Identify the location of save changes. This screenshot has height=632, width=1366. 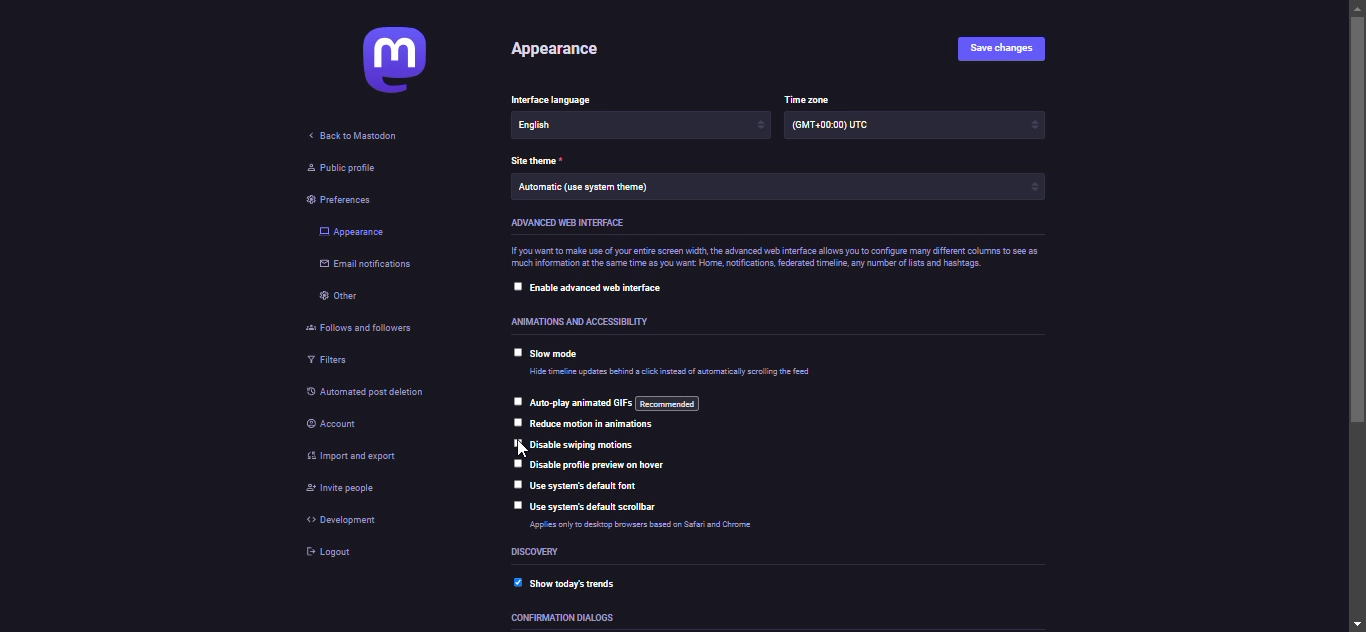
(1005, 45).